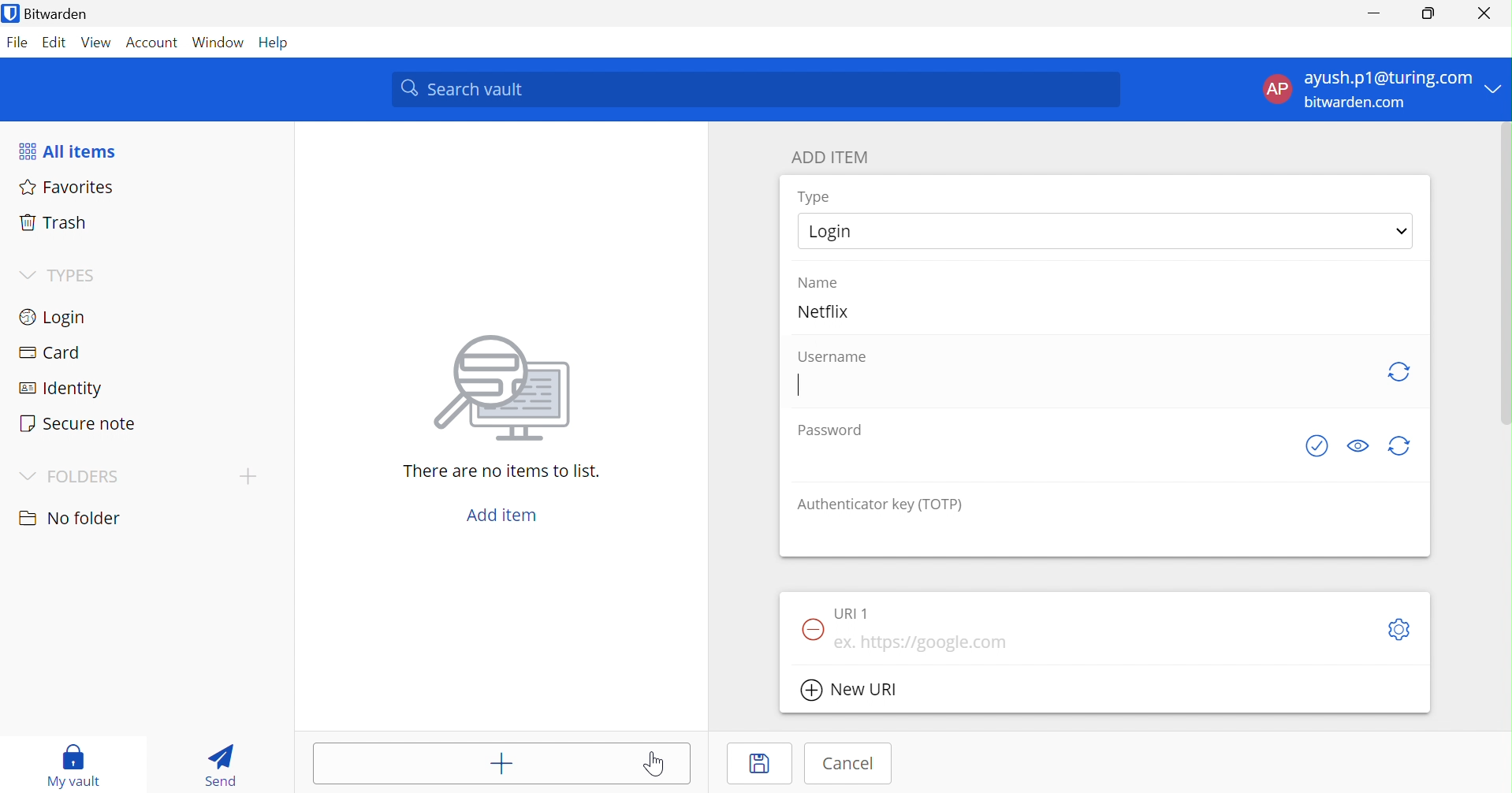 Image resolution: width=1512 pixels, height=793 pixels. Describe the element at coordinates (67, 187) in the screenshot. I see `Favorites` at that location.